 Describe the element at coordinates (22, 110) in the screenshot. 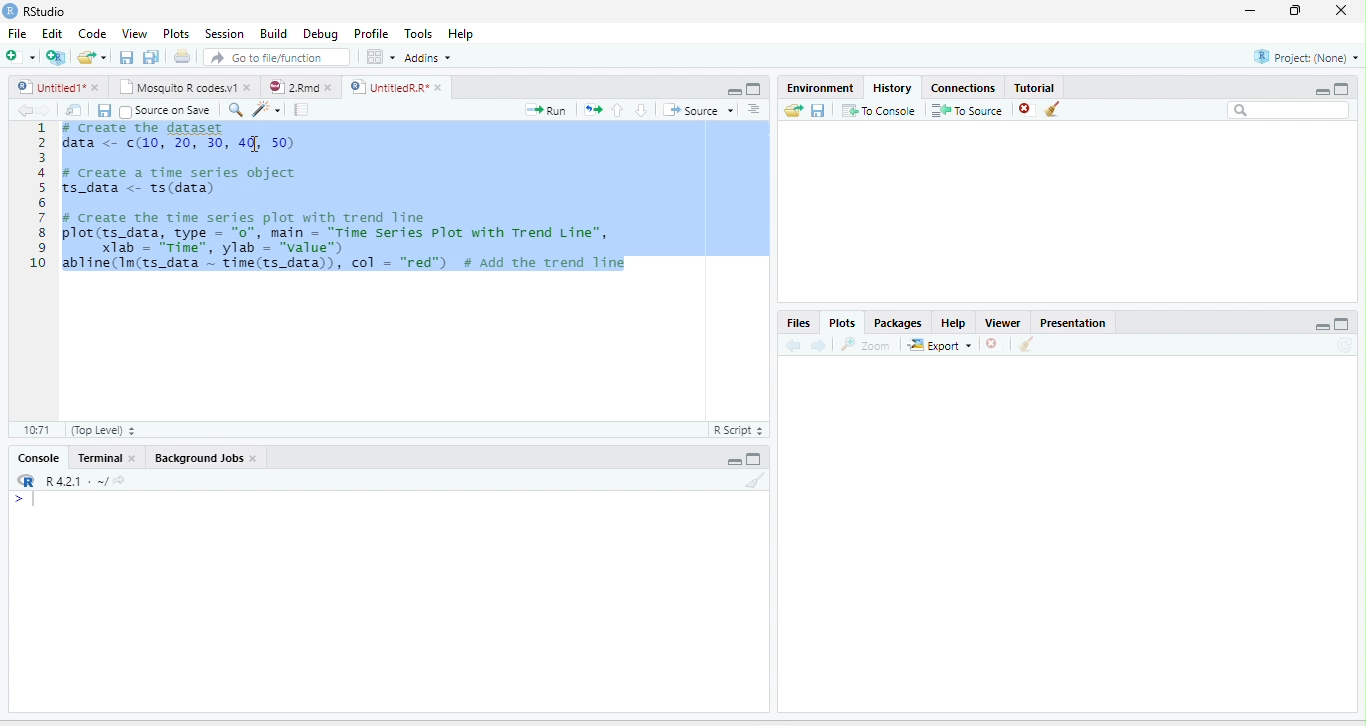

I see `Go back to previous source location` at that location.